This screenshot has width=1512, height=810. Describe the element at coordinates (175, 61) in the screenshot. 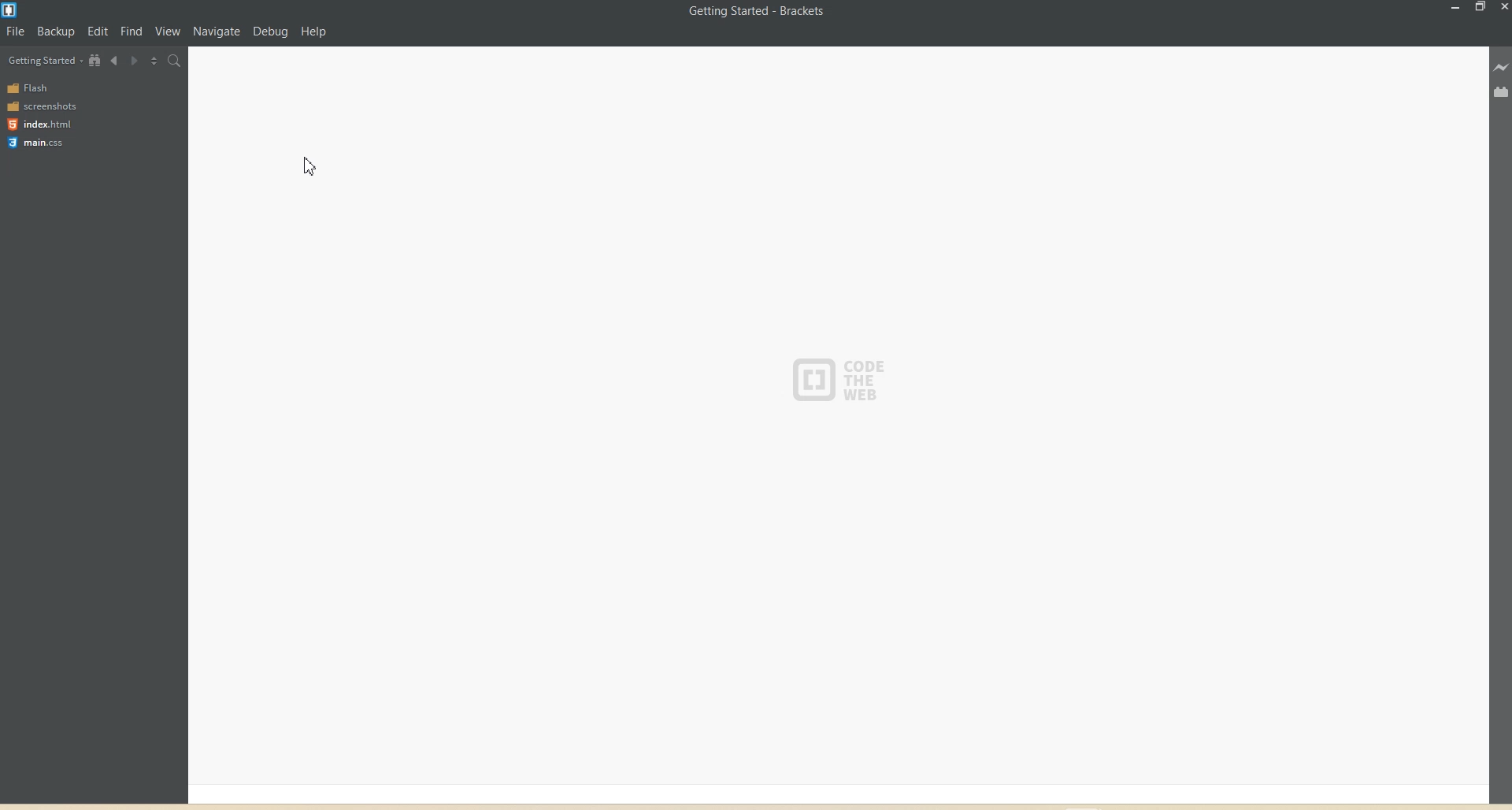

I see `Find in files` at that location.